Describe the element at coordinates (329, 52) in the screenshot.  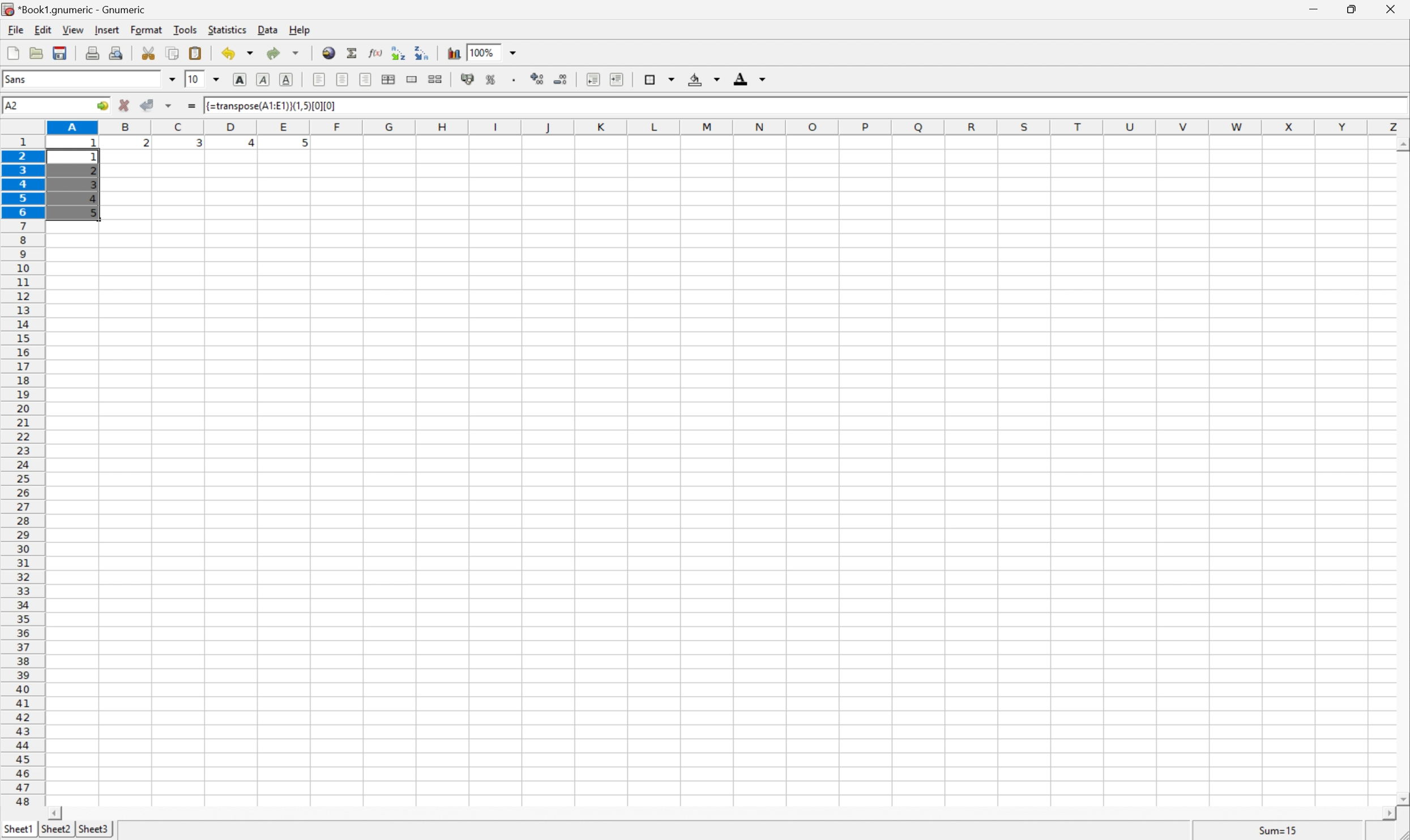
I see `insert hyperlink` at that location.